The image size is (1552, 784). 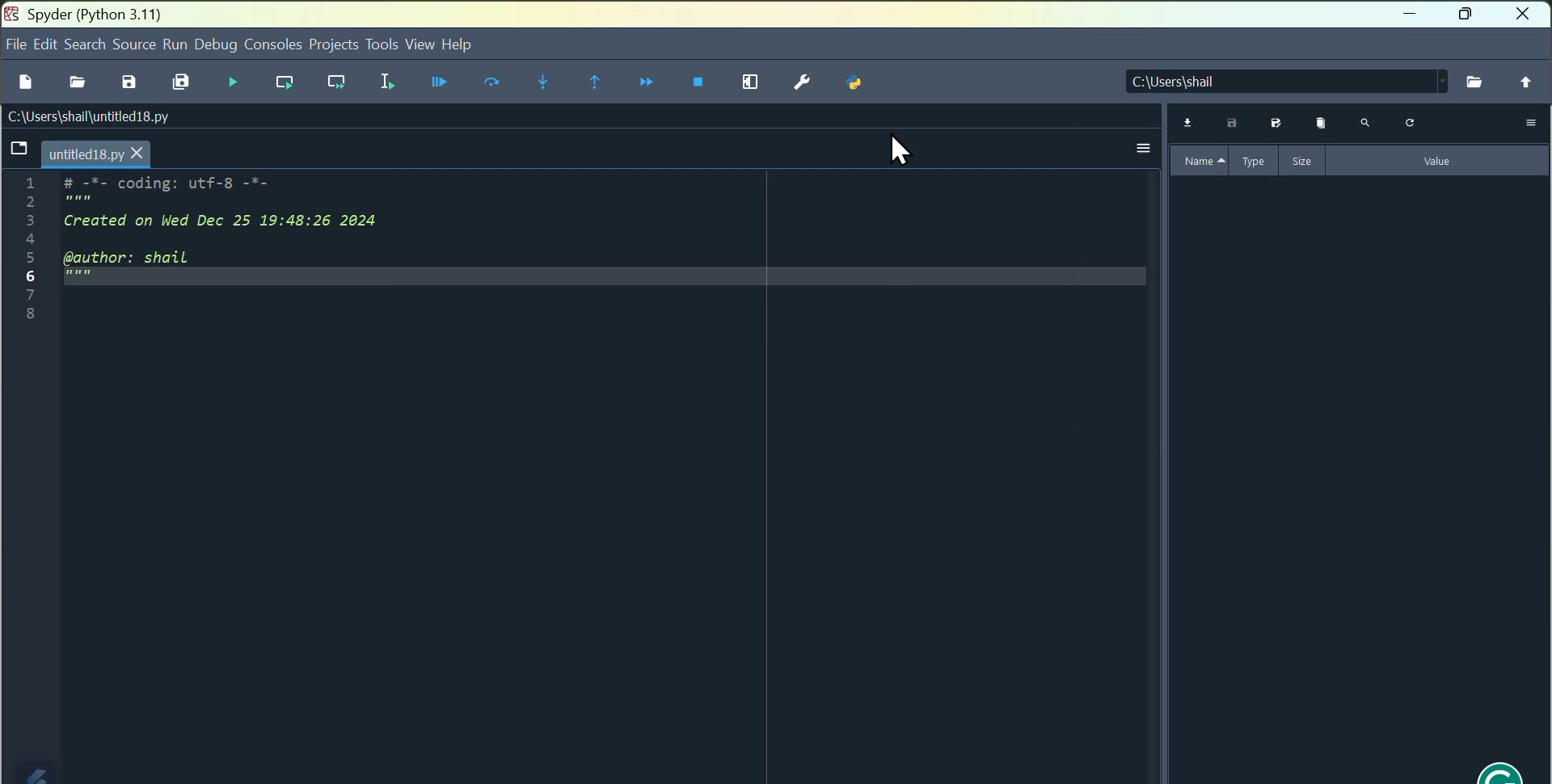 What do you see at coordinates (1229, 121) in the screenshot?
I see `save data` at bounding box center [1229, 121].